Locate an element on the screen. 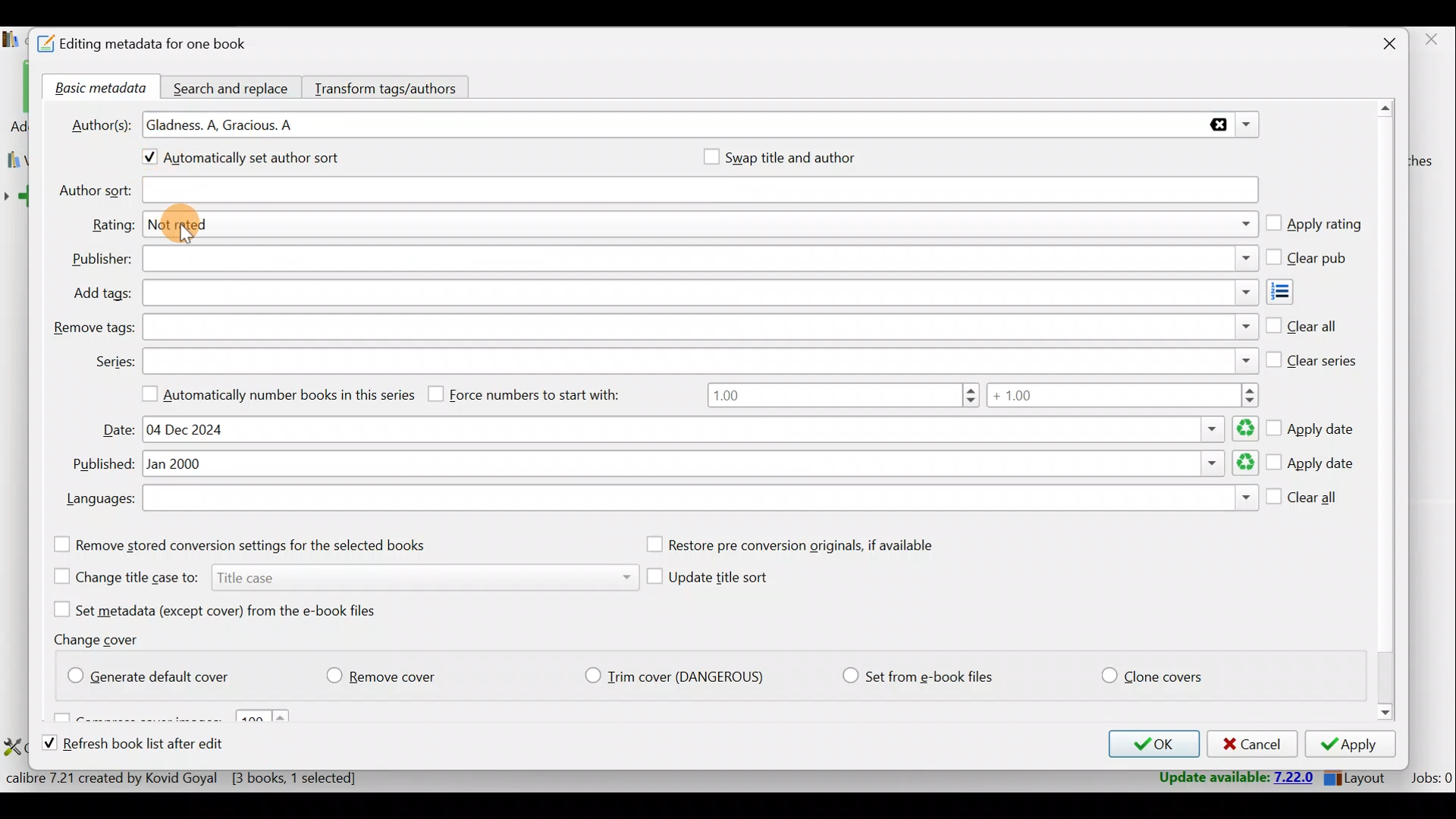 The height and width of the screenshot is (819, 1456). Automatically set author sort is located at coordinates (253, 160).